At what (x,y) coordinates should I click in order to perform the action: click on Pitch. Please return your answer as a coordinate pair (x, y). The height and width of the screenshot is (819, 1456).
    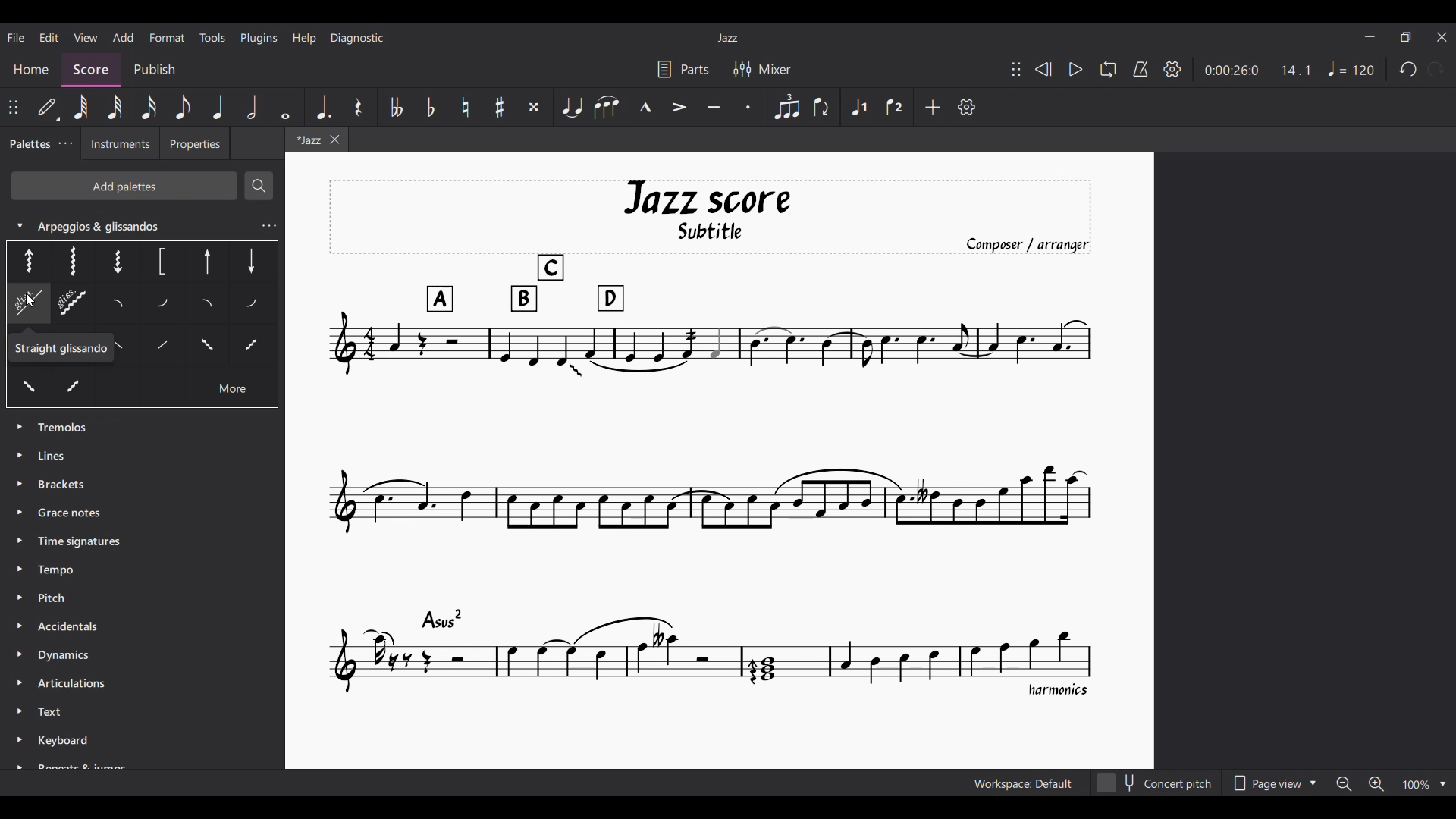
    Looking at the image, I should click on (53, 596).